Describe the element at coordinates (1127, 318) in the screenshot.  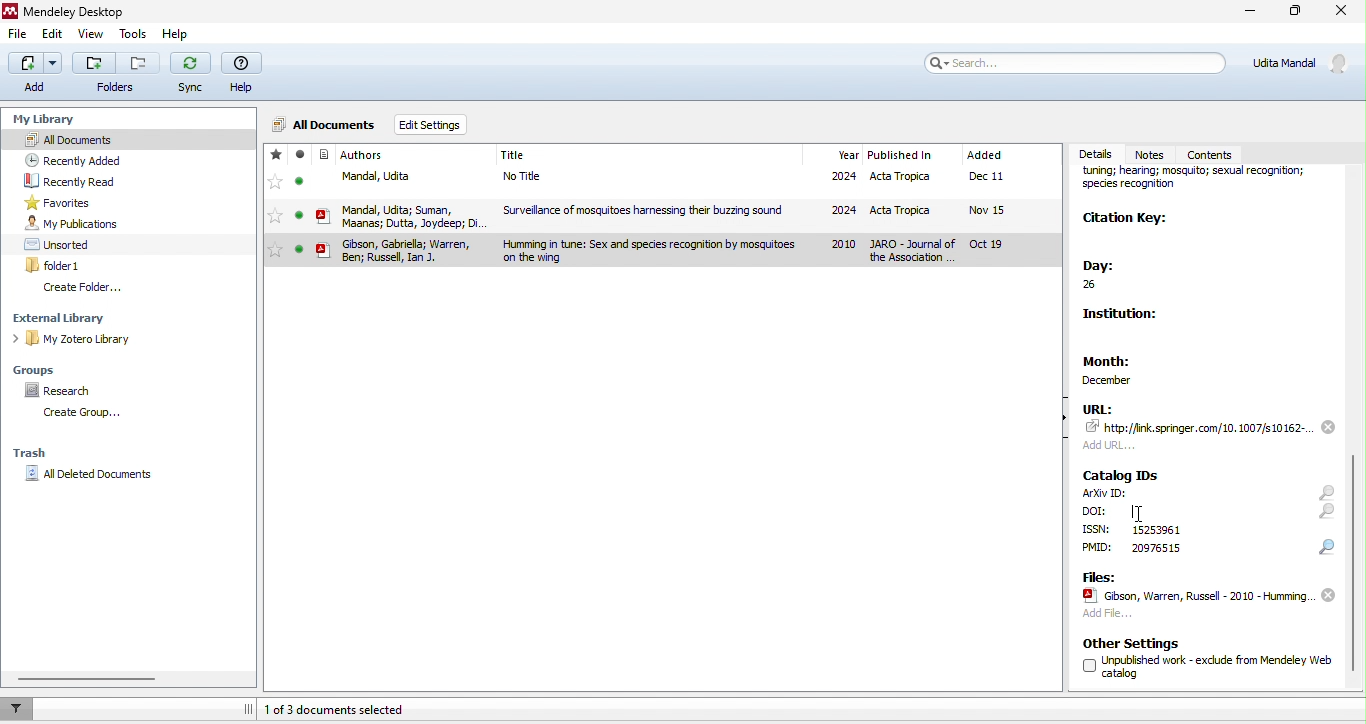
I see `institution` at that location.